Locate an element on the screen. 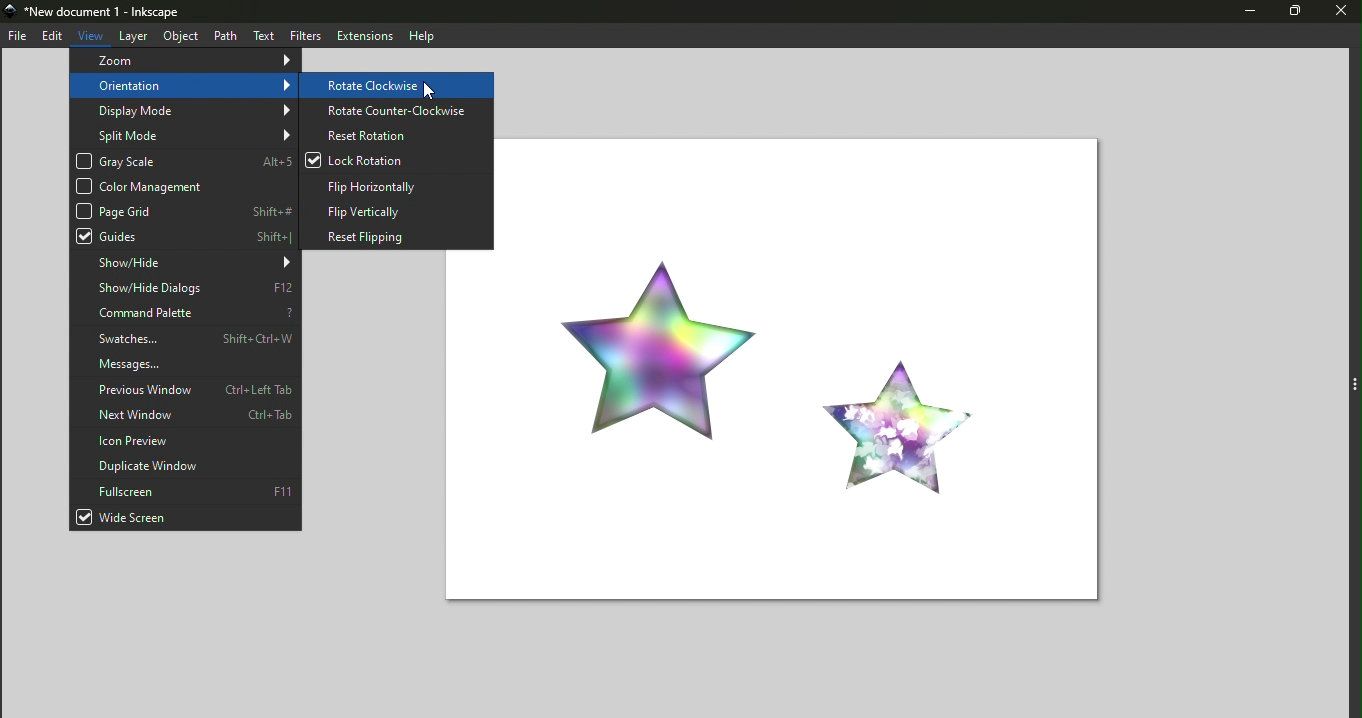 The height and width of the screenshot is (718, 1362). Duplicate window is located at coordinates (187, 465).